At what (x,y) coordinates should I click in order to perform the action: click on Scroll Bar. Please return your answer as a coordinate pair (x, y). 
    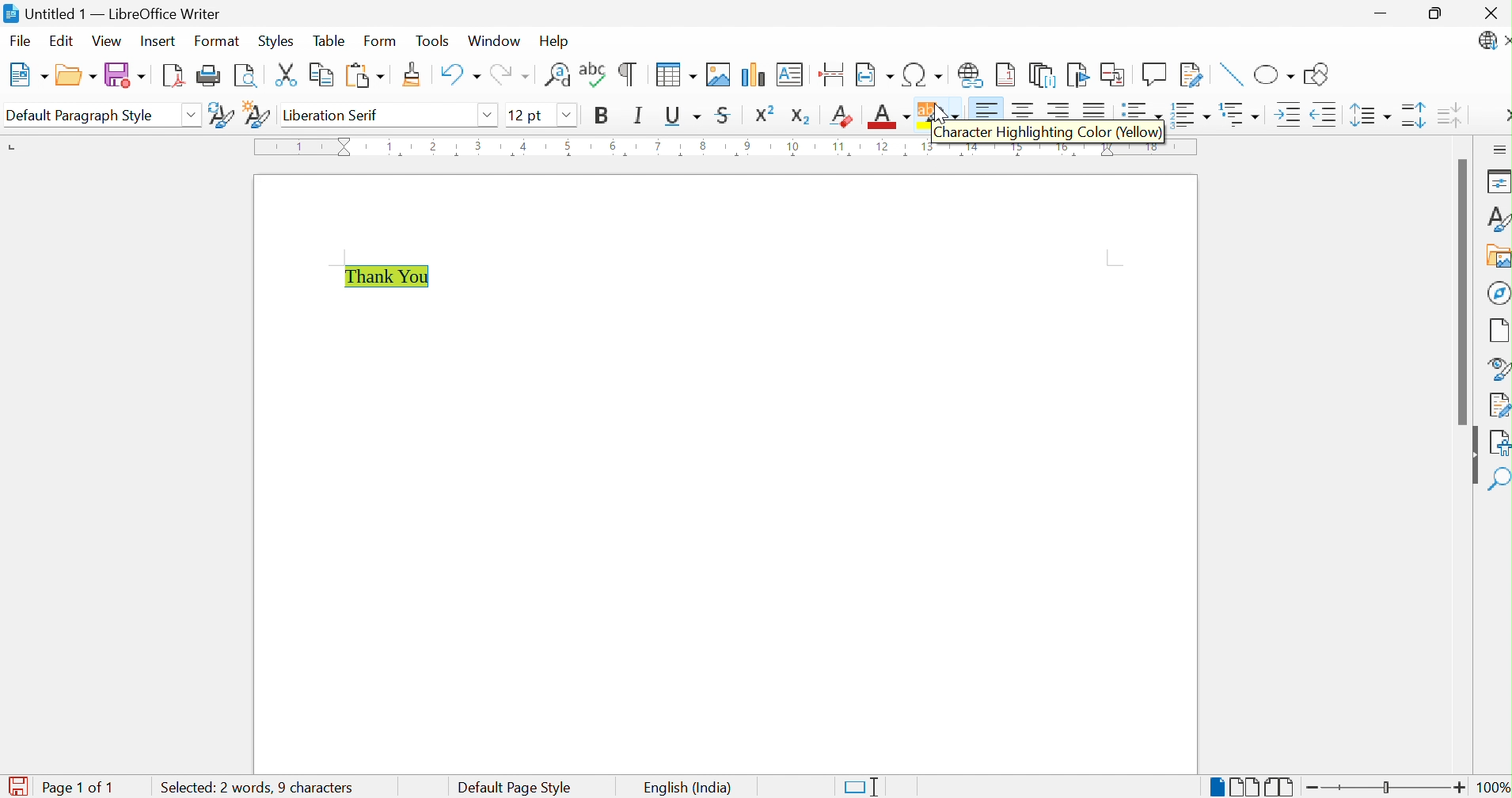
    Looking at the image, I should click on (1457, 291).